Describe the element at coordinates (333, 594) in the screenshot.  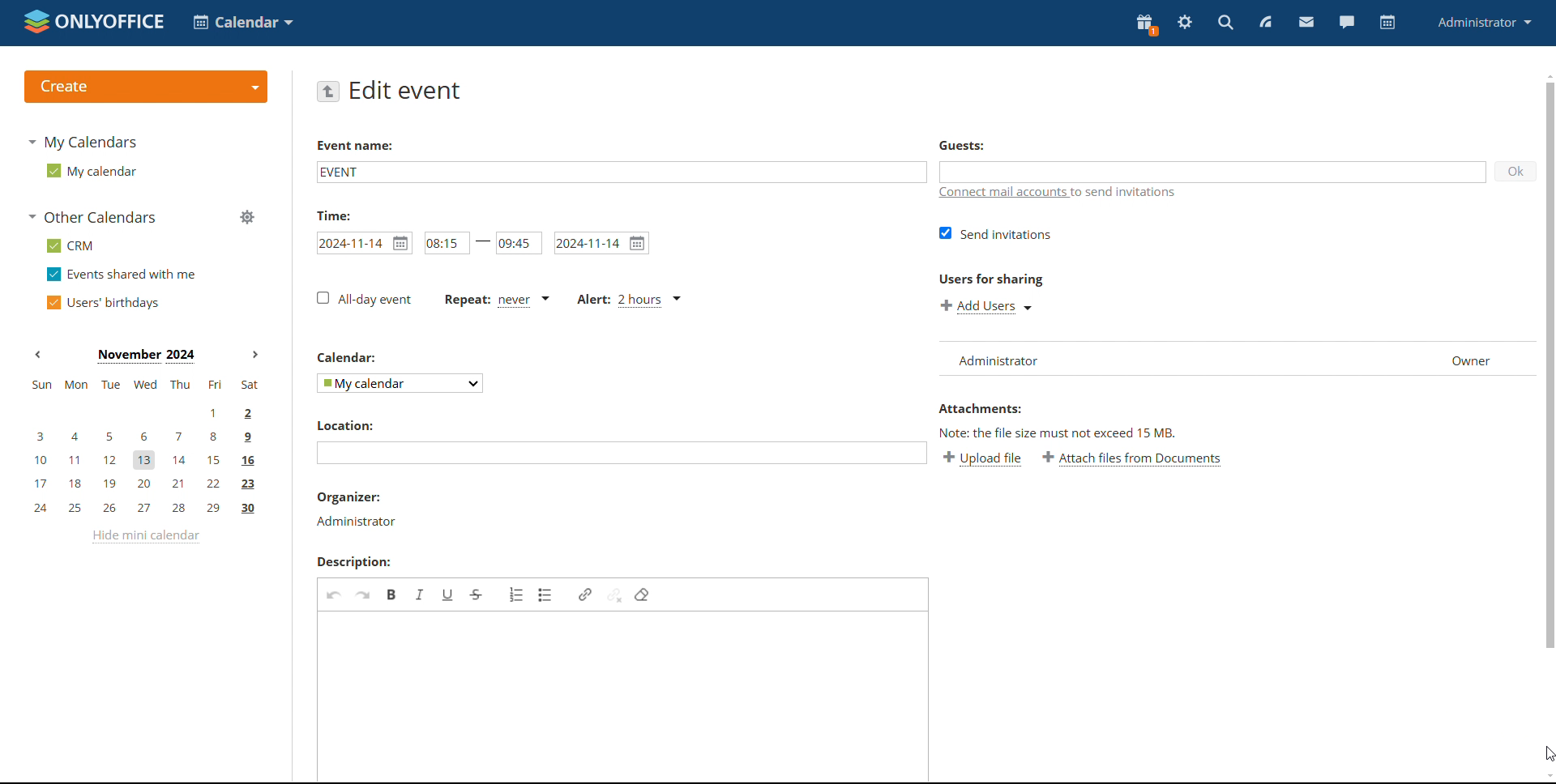
I see `undo` at that location.